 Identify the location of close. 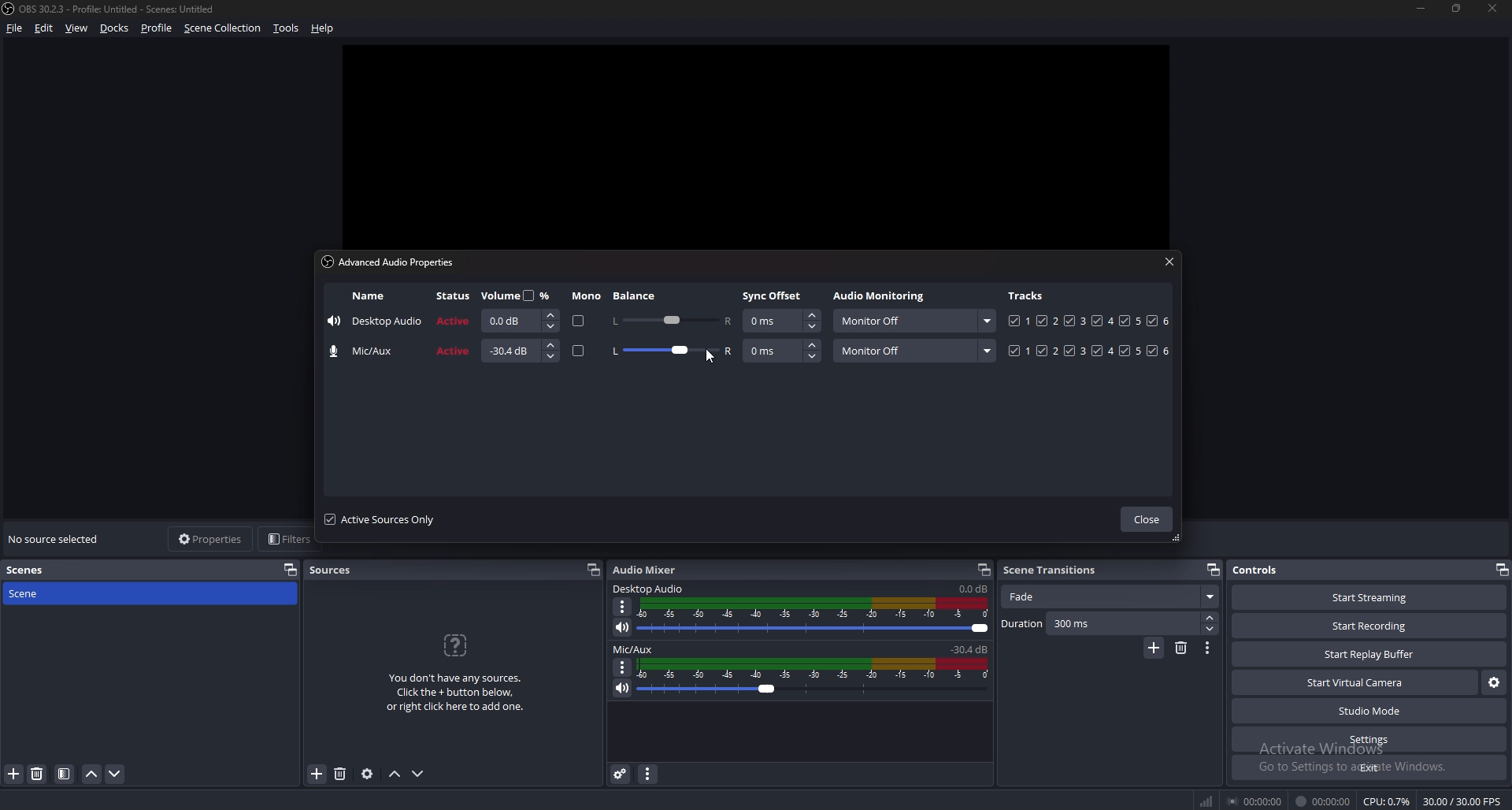
(1495, 9).